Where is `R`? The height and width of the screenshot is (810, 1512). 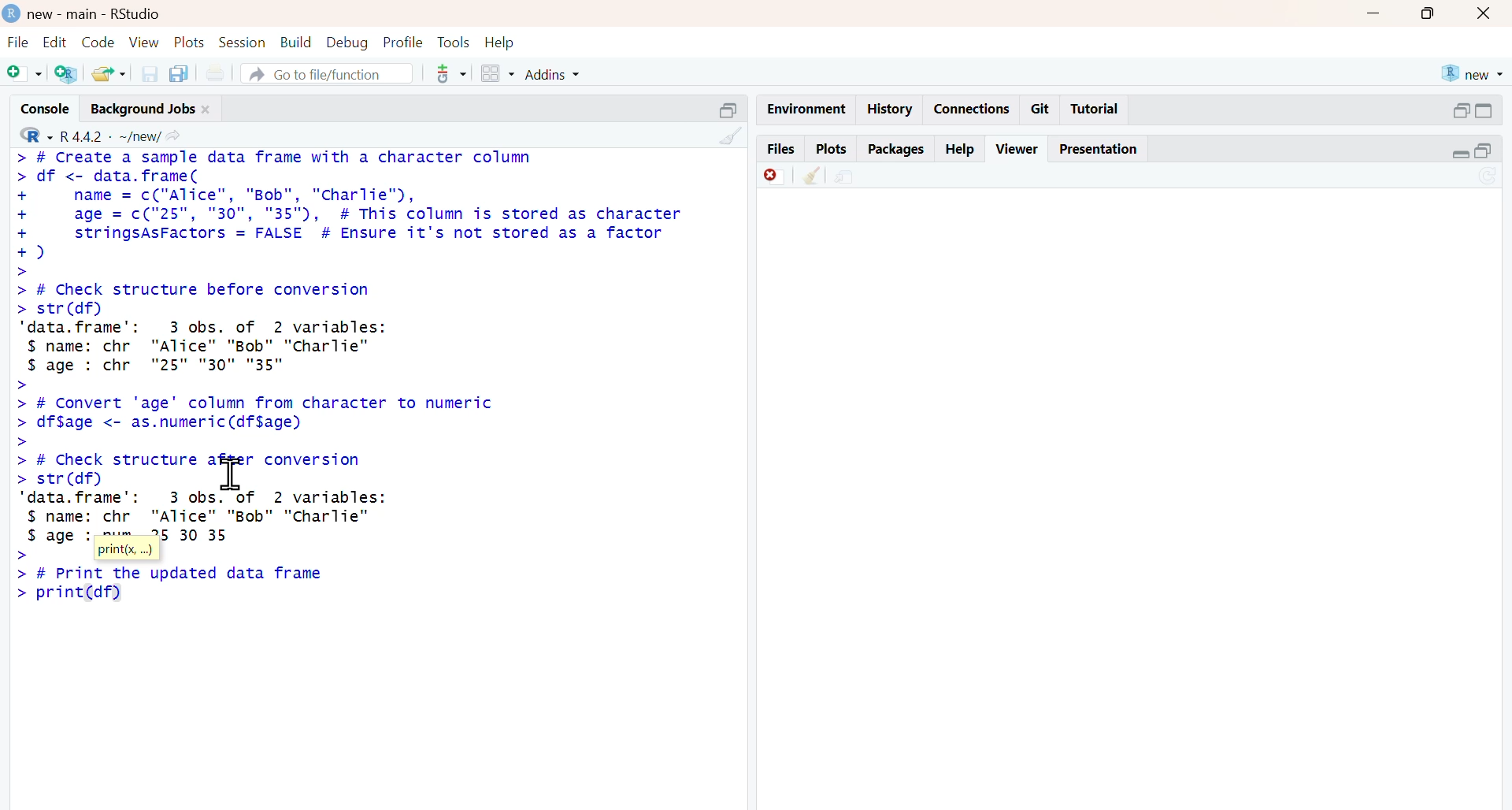
R is located at coordinates (36, 135).